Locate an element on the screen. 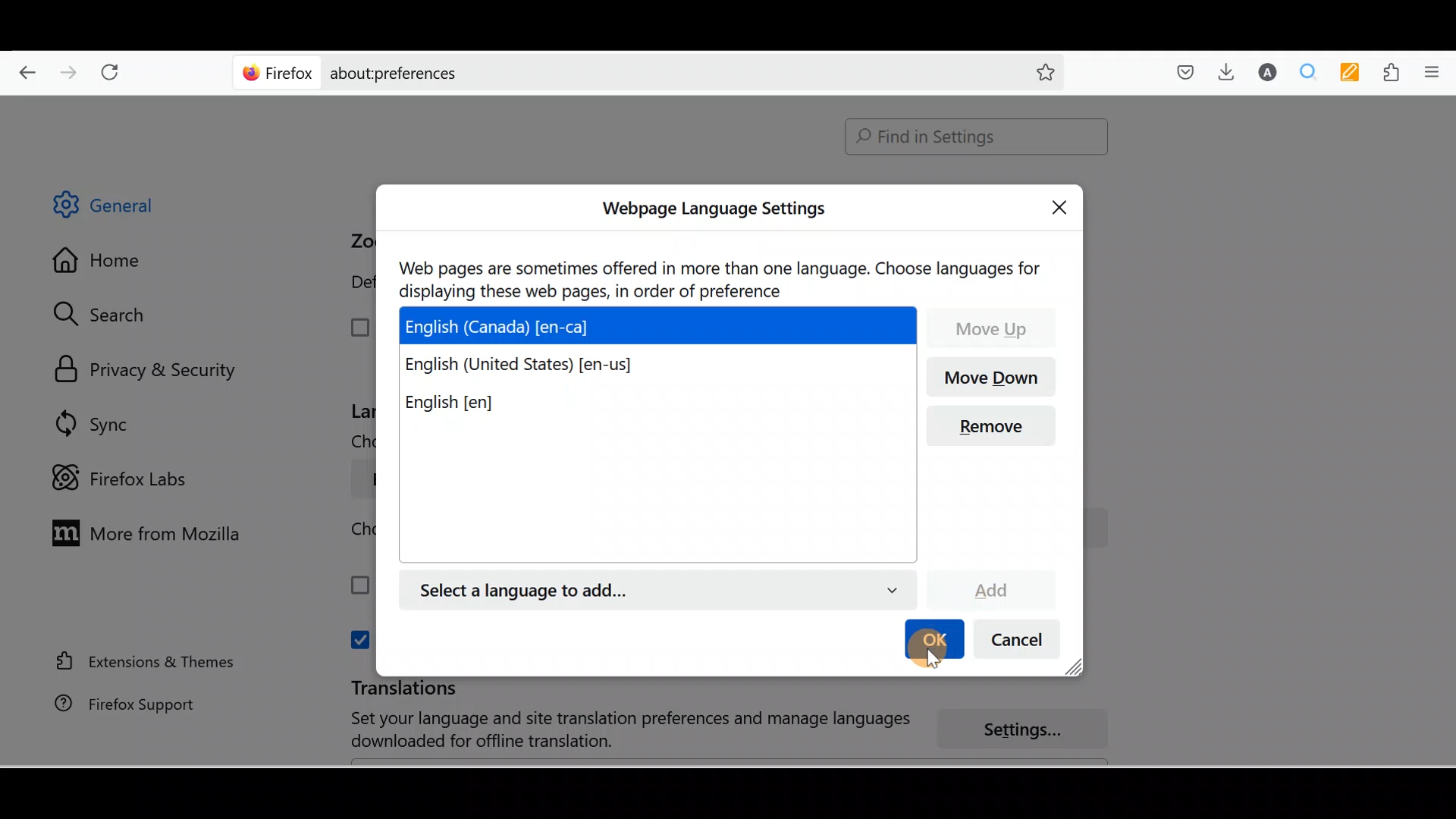 Image resolution: width=1456 pixels, height=819 pixels. Multiple search & highlight is located at coordinates (1309, 71).